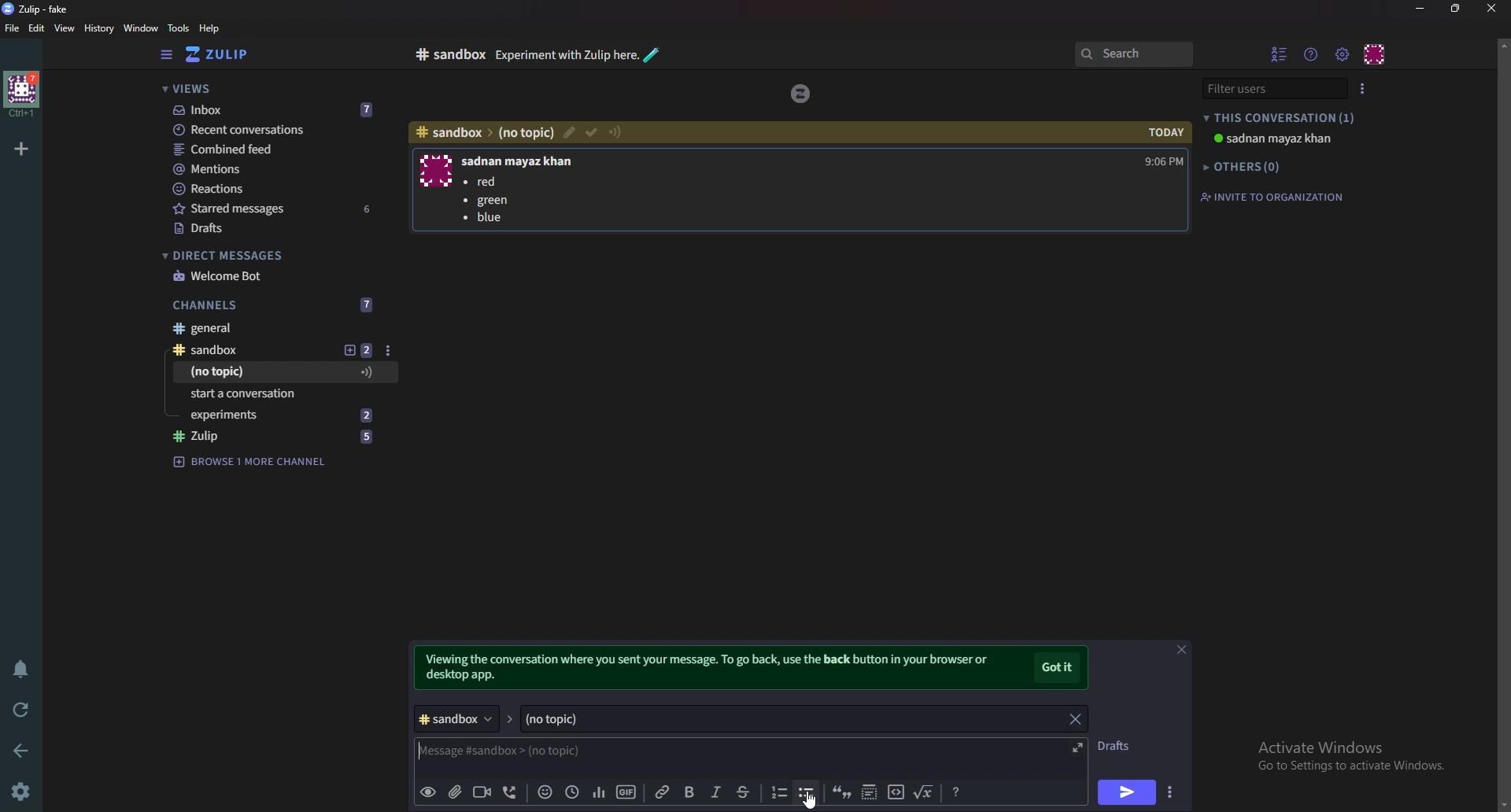 The height and width of the screenshot is (812, 1511). Describe the element at coordinates (23, 94) in the screenshot. I see `Home` at that location.